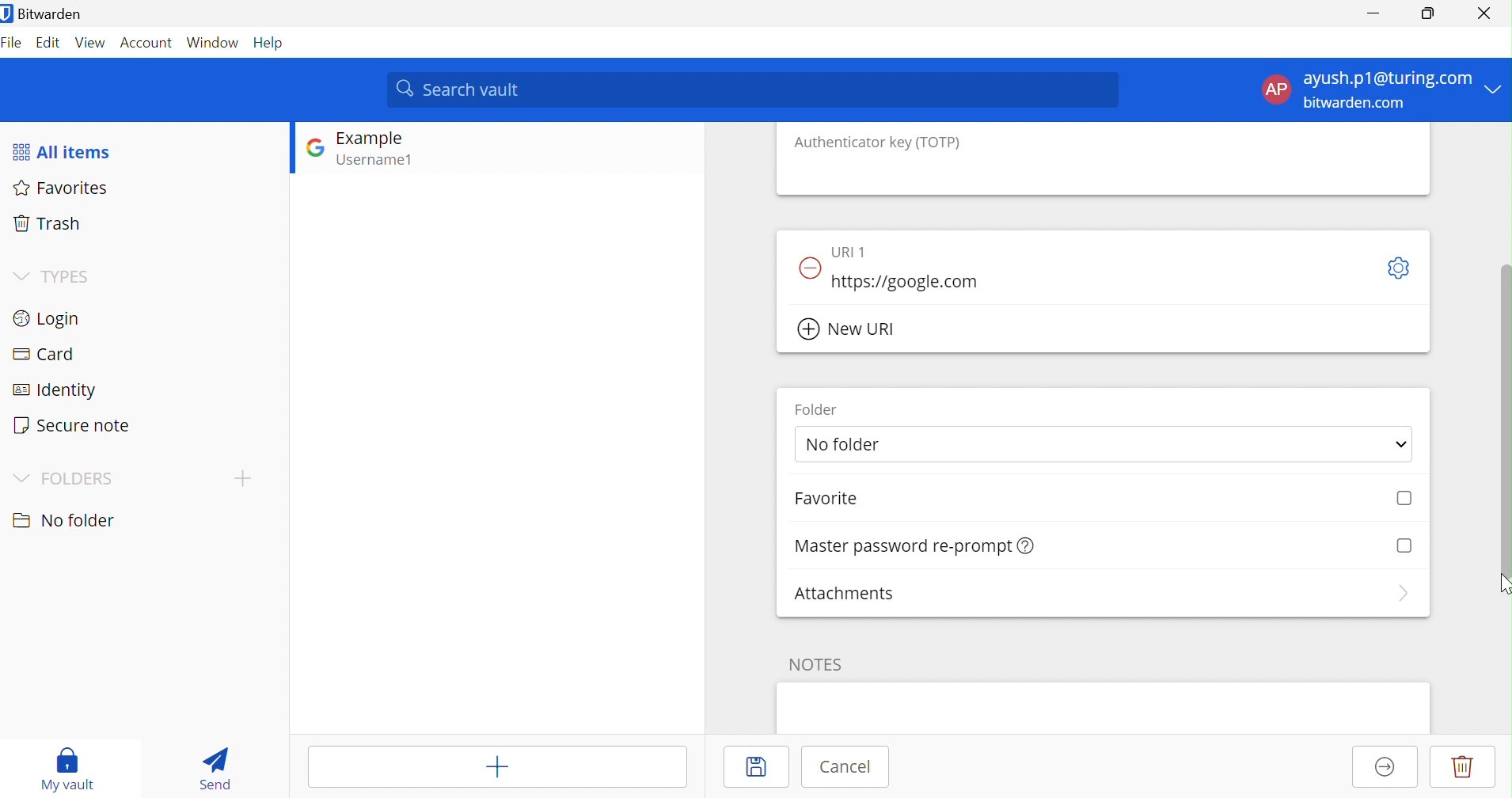 The height and width of the screenshot is (798, 1512). I want to click on CREATE FOLDER, so click(246, 481).